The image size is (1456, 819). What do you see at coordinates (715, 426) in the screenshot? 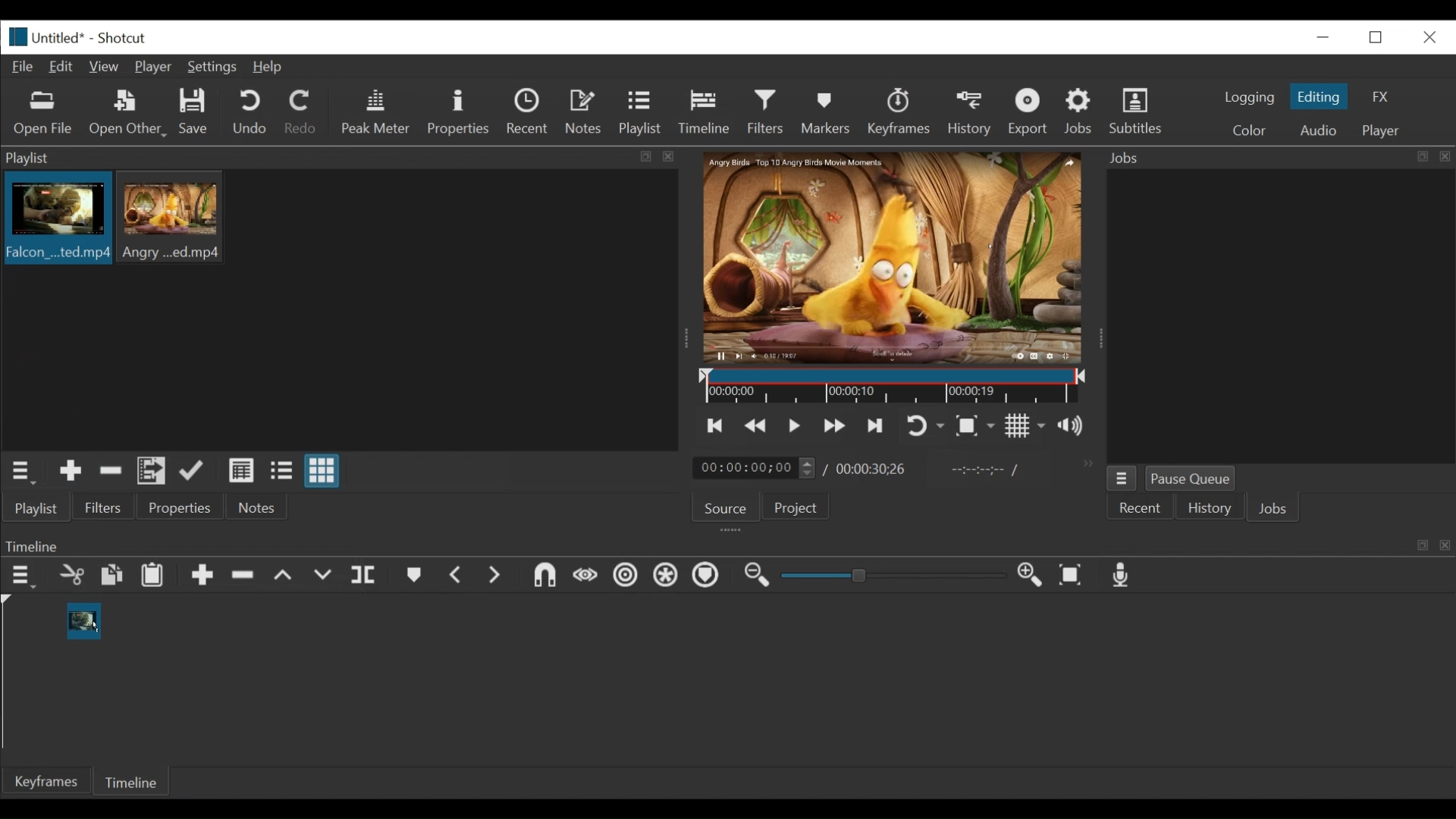
I see `skip to the previous point` at bounding box center [715, 426].